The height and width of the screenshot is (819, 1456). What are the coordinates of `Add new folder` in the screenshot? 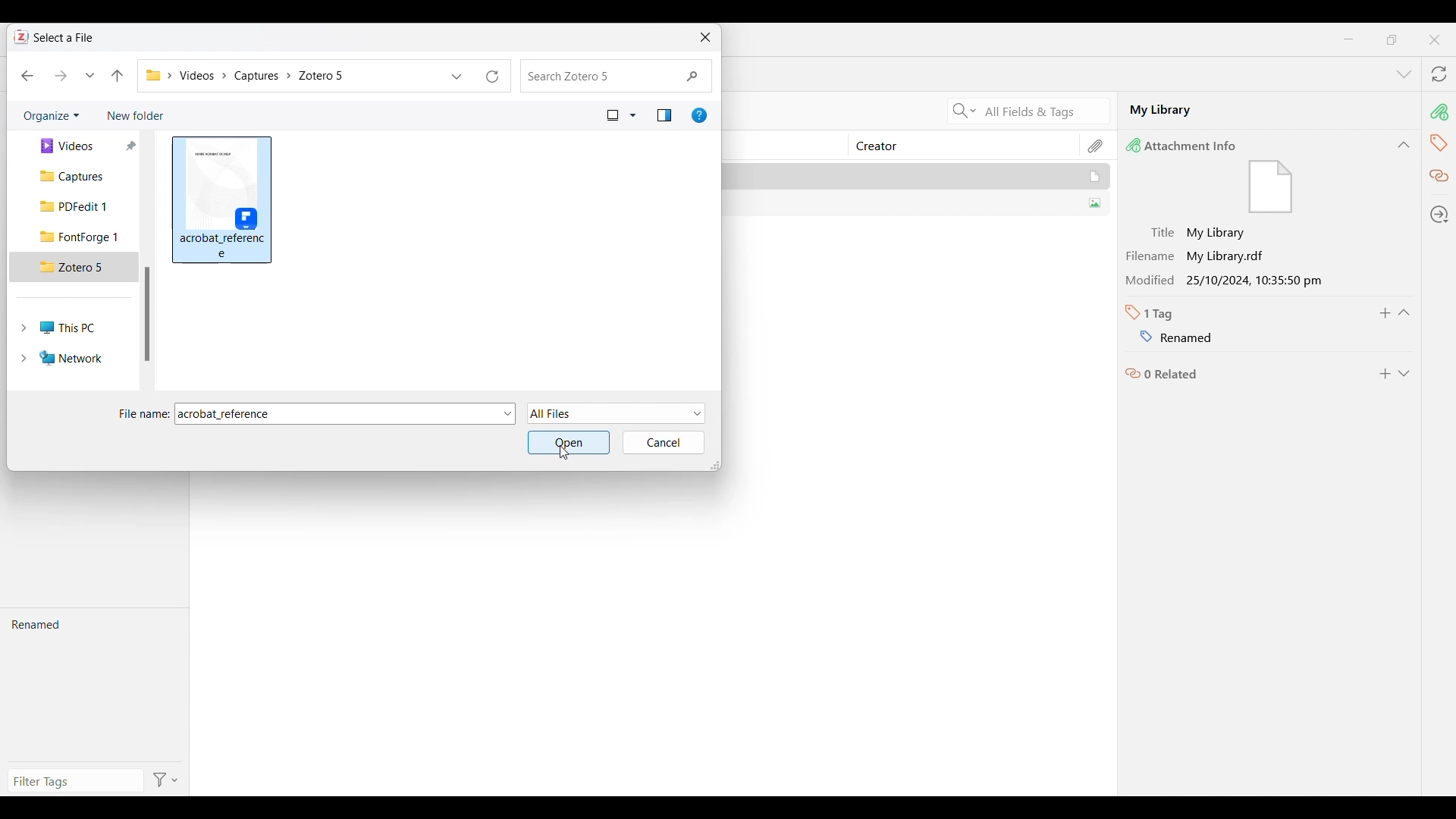 It's located at (136, 116).